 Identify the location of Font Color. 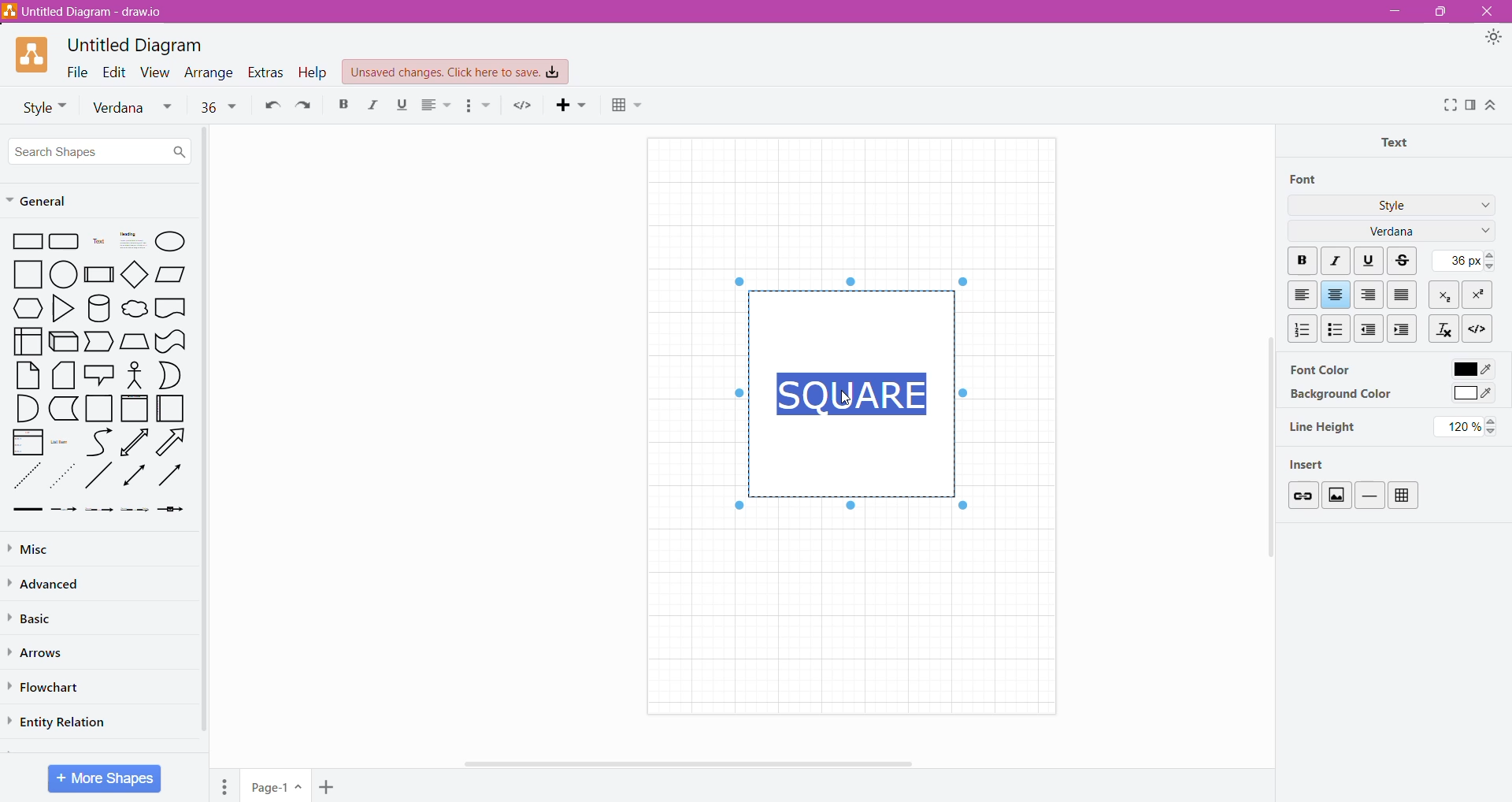
(1319, 369).